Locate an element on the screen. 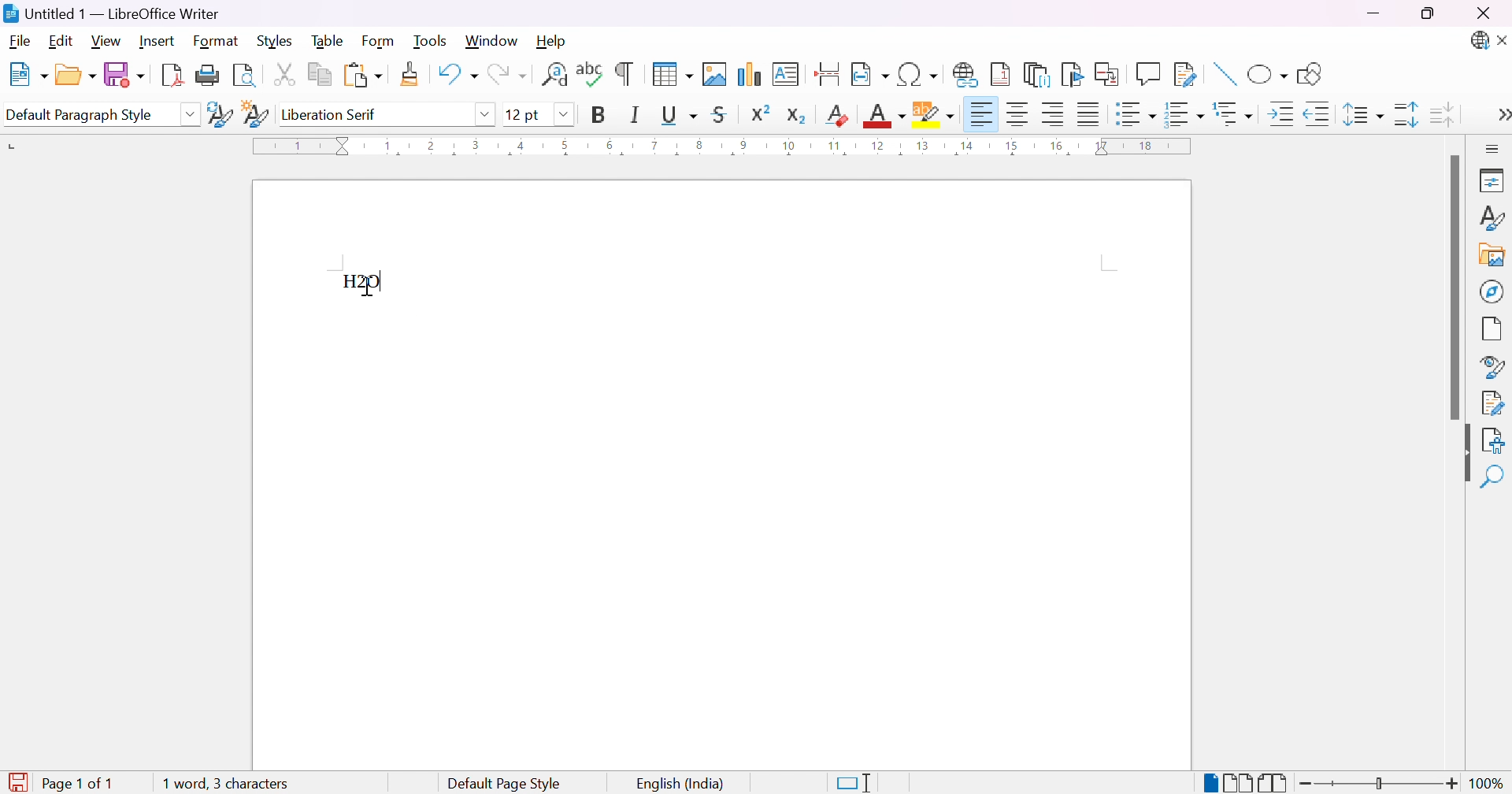 Image resolution: width=1512 pixels, height=794 pixels.  is located at coordinates (624, 74).